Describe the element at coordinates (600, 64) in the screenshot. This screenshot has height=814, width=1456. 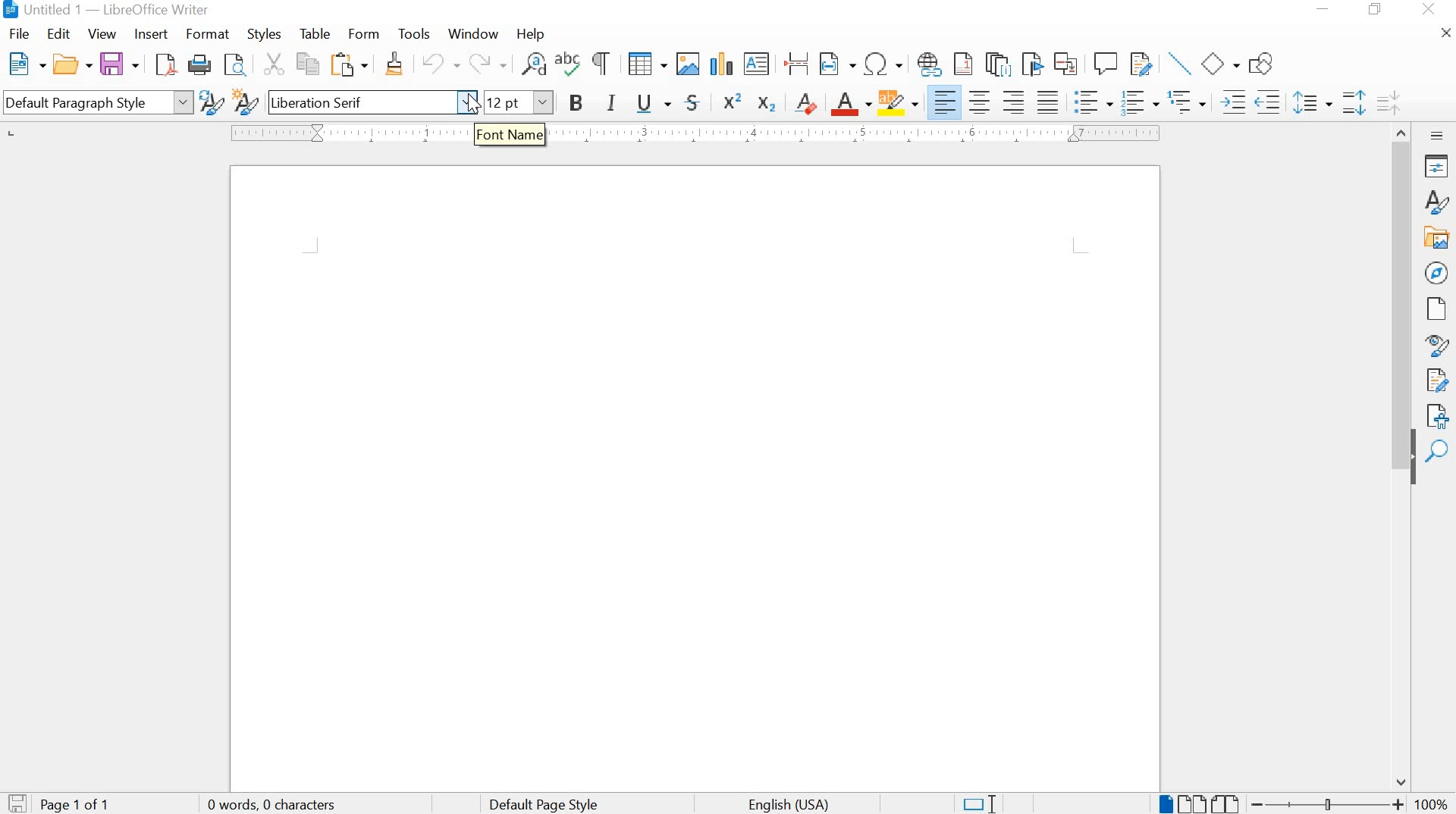
I see `TOGGLE FORMATTING MARKS` at that location.